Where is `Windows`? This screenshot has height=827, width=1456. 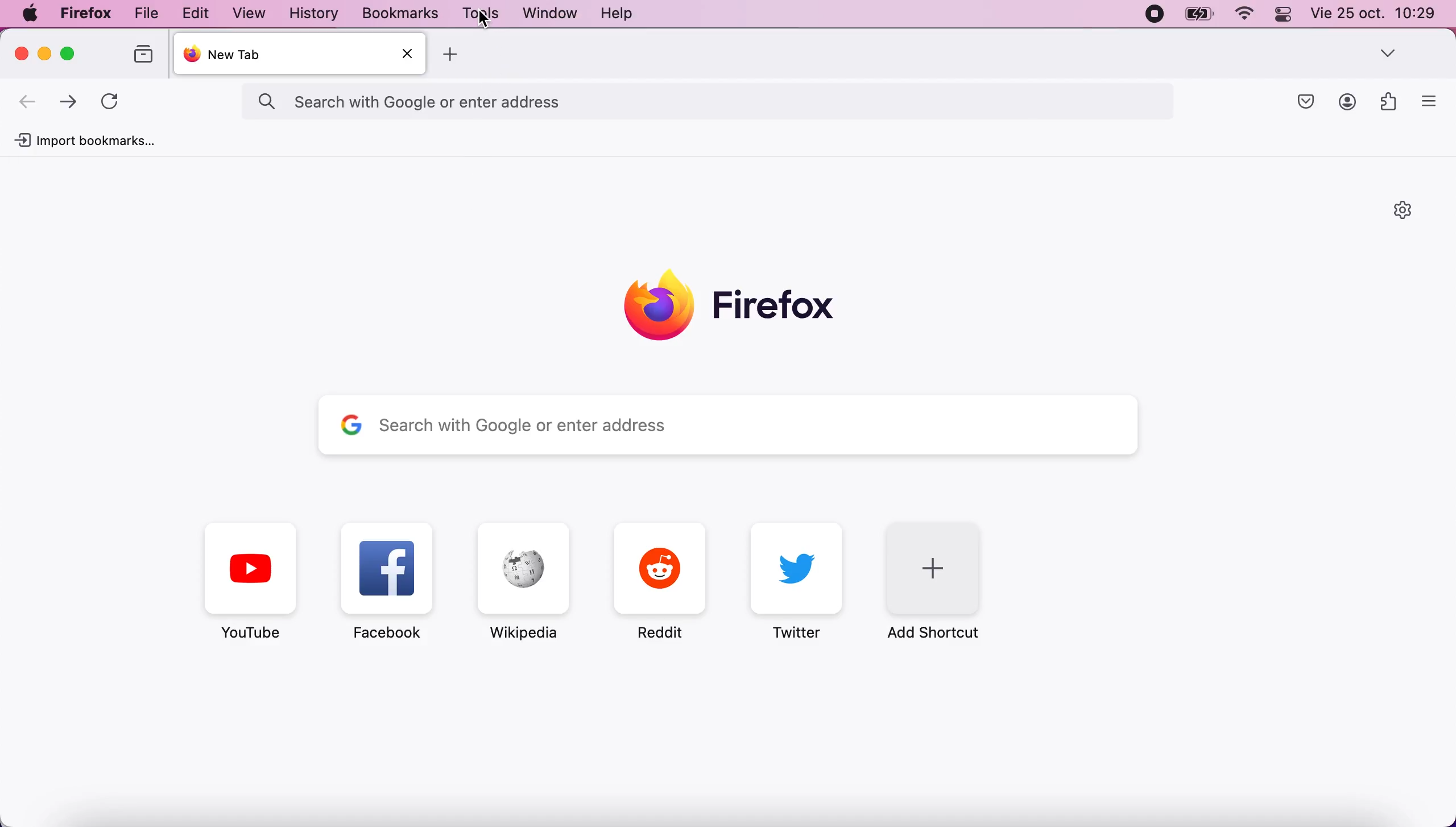
Windows is located at coordinates (552, 13).